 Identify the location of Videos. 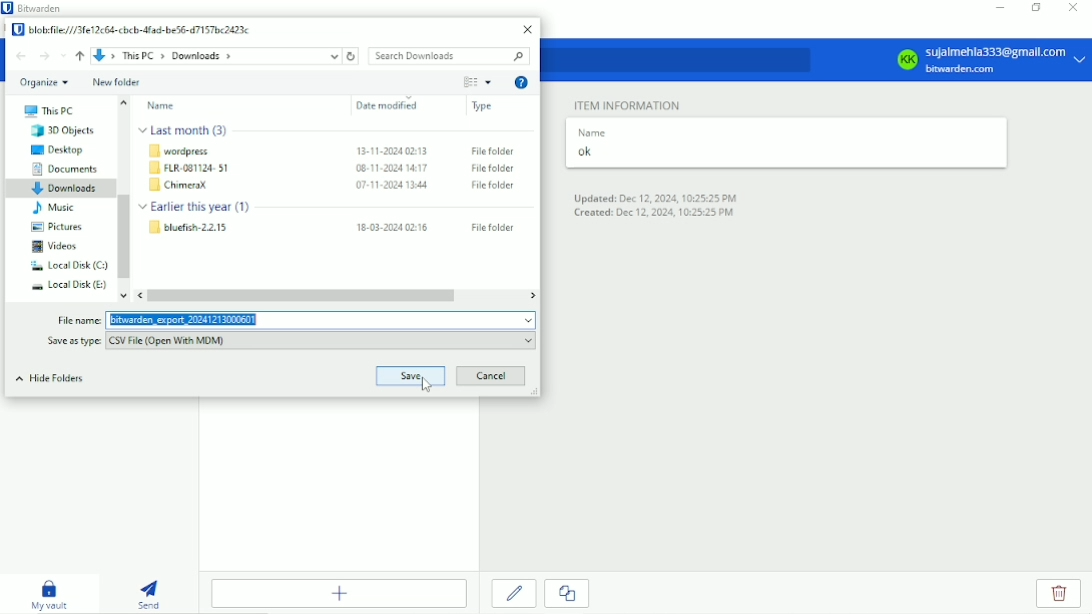
(57, 246).